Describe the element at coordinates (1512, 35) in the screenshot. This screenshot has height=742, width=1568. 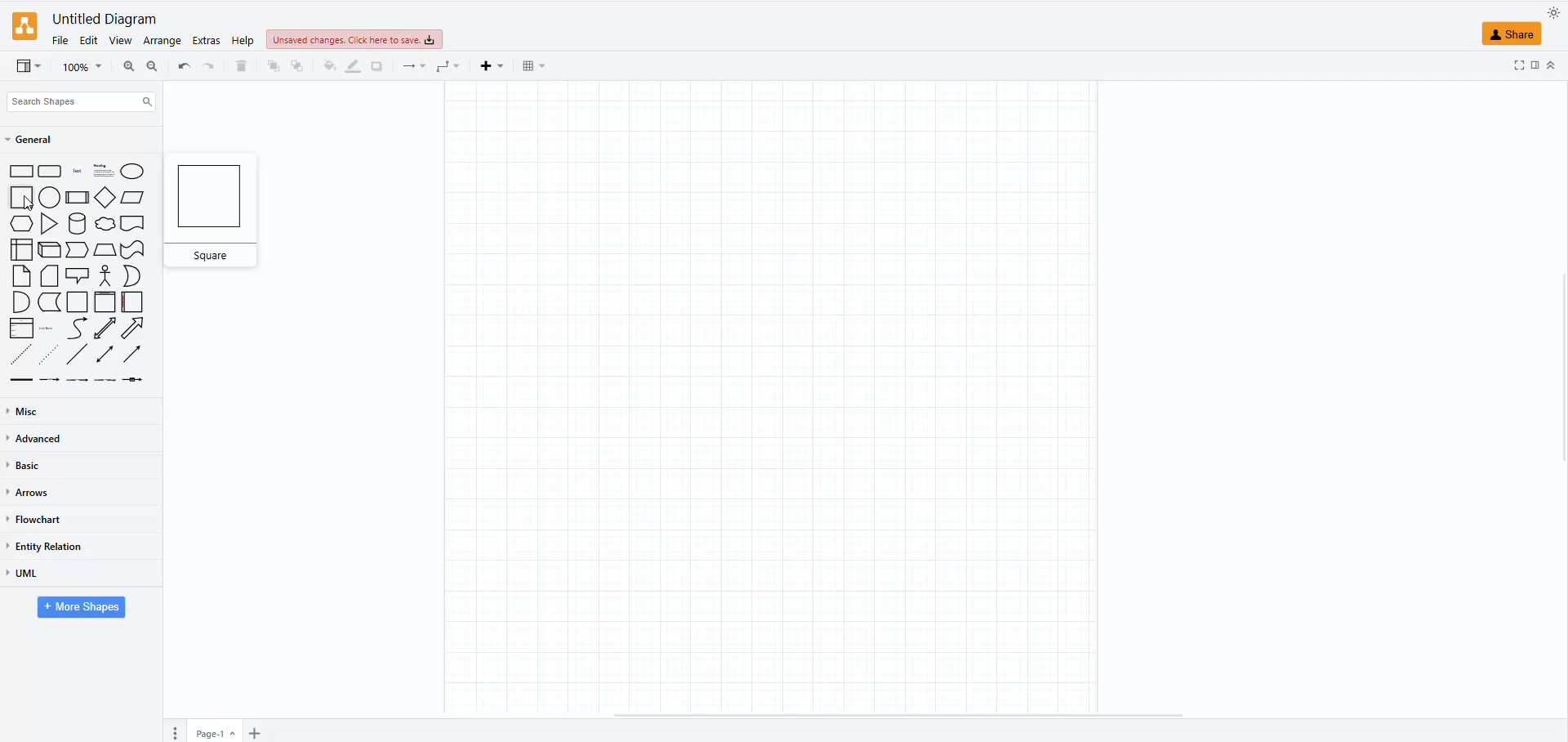
I see `share` at that location.